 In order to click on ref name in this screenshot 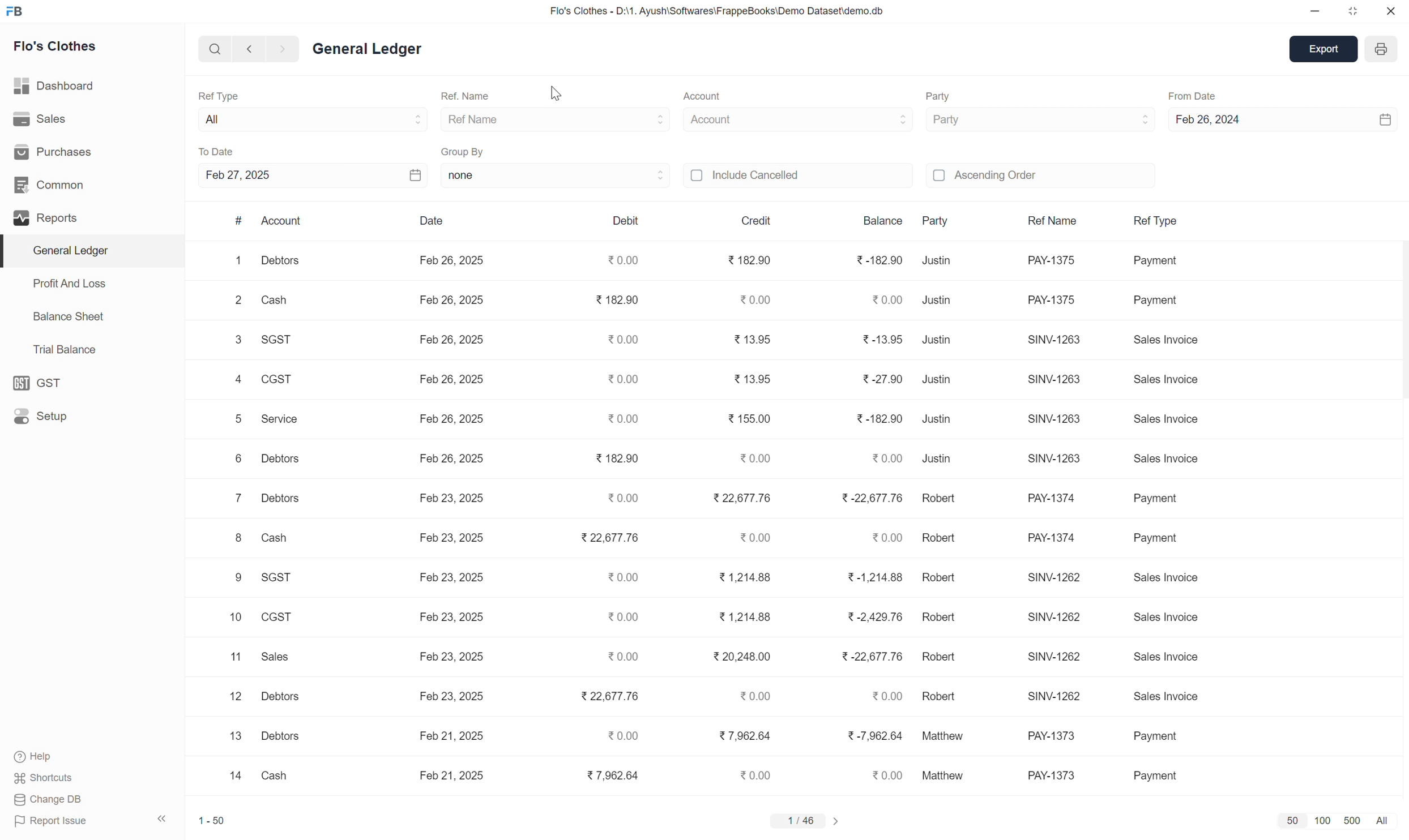, I will do `click(1051, 223)`.